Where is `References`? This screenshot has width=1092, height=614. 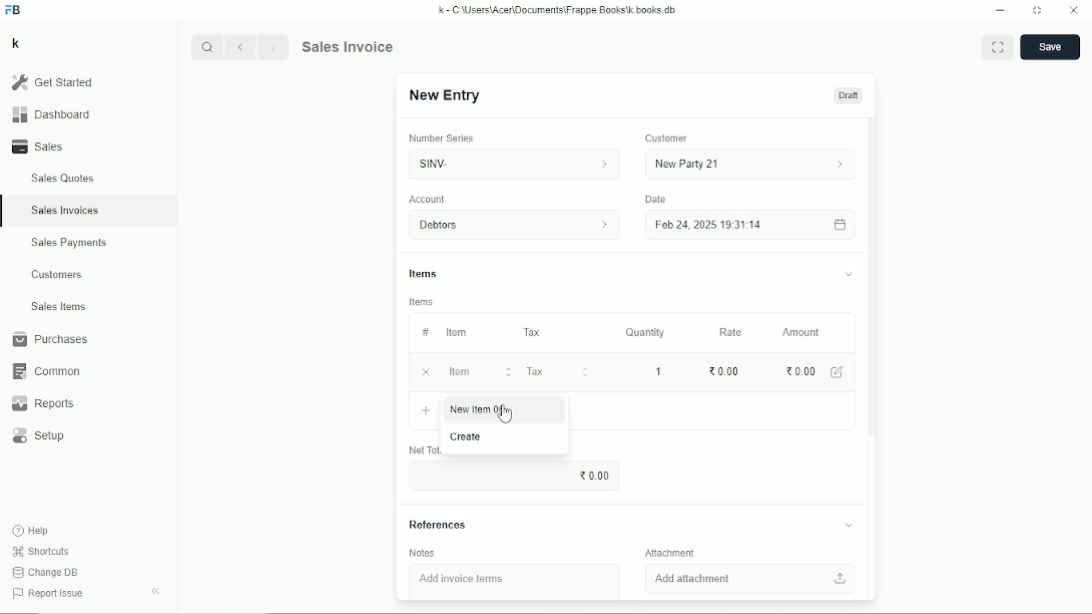
References is located at coordinates (629, 525).